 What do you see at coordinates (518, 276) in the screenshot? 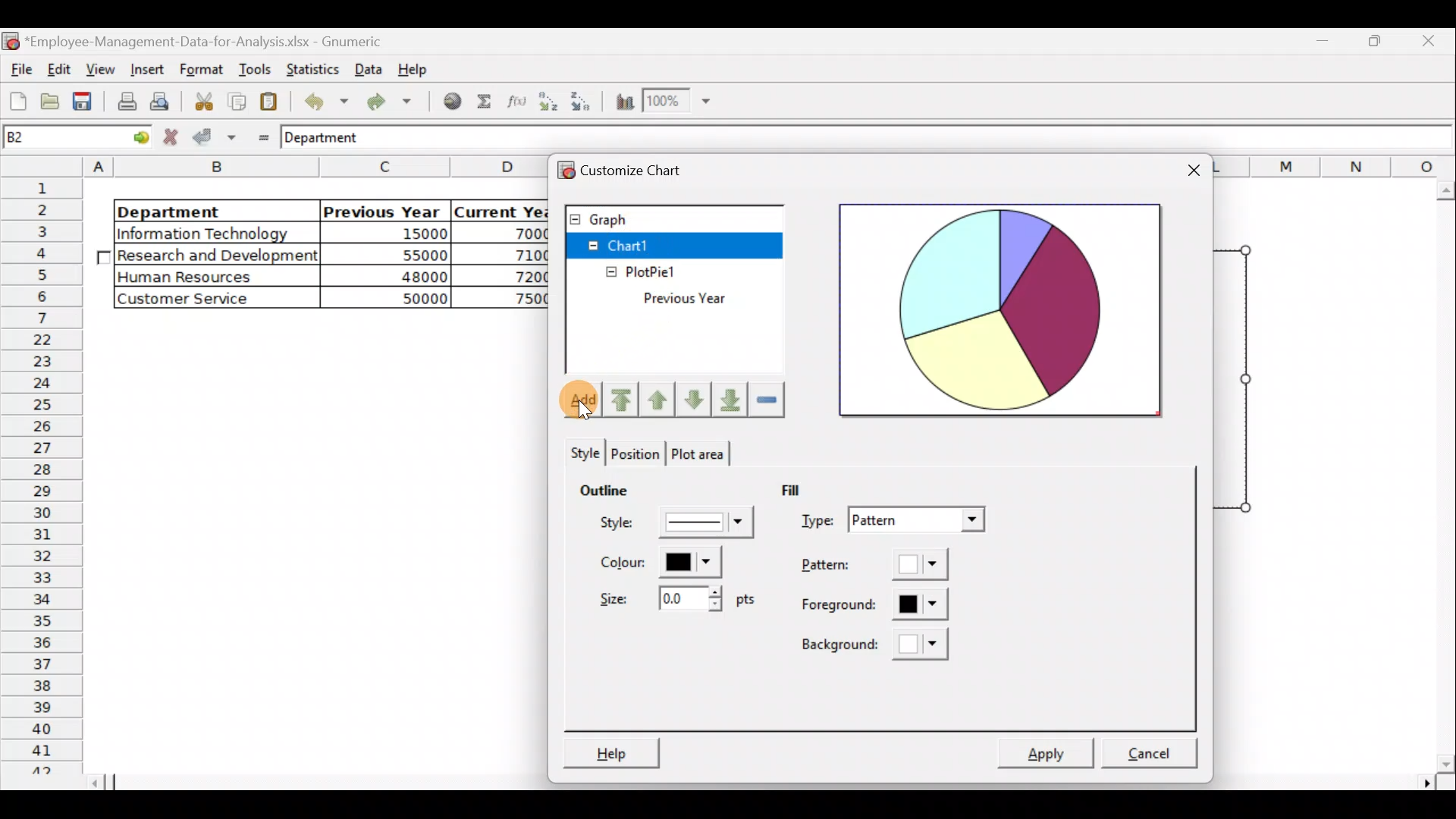
I see `72000` at bounding box center [518, 276].